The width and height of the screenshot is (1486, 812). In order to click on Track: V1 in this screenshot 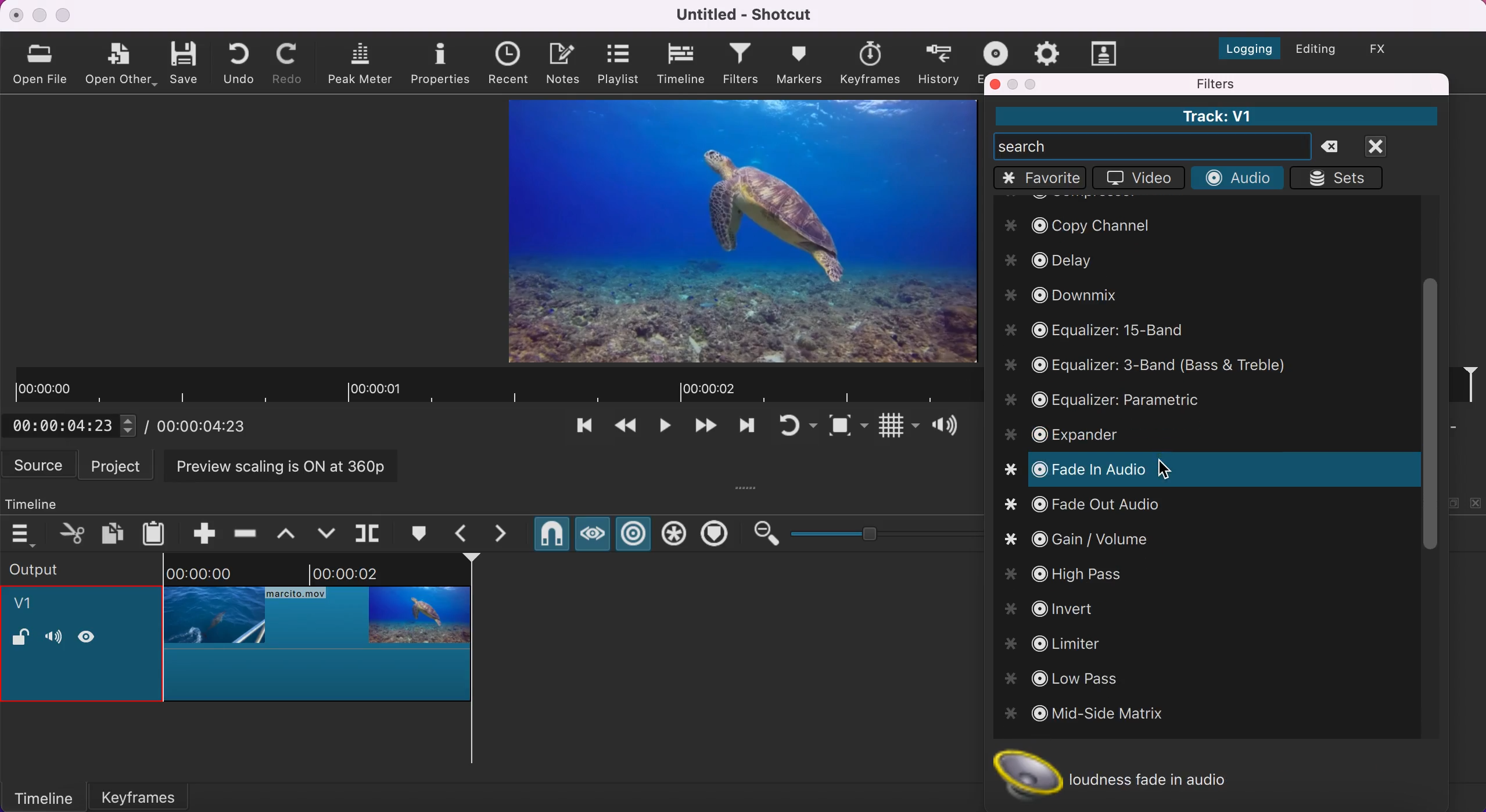, I will do `click(1215, 116)`.